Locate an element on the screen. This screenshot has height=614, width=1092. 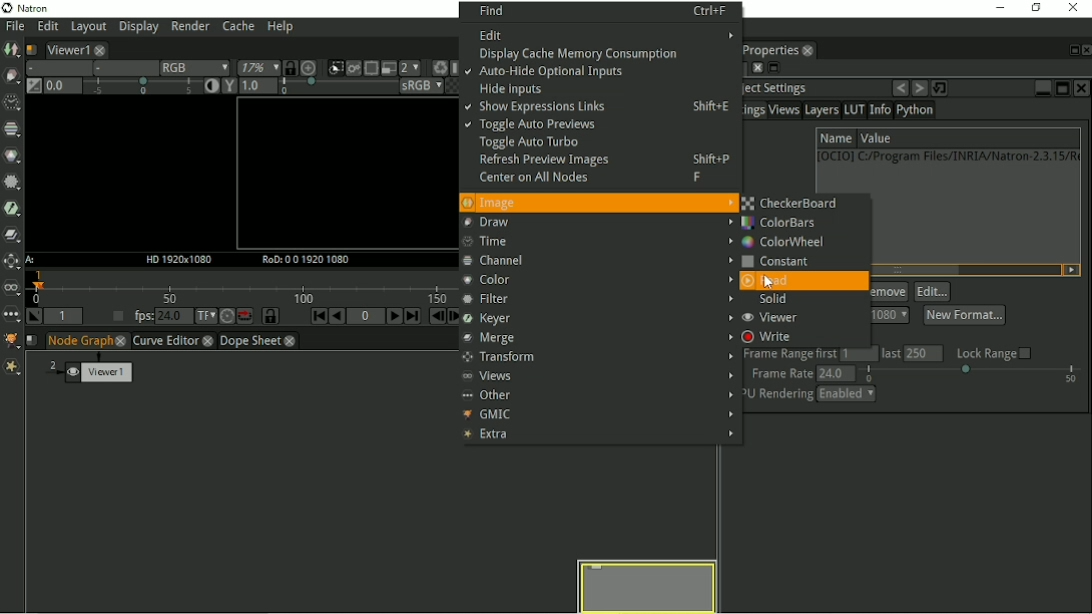
Toggle auto previews is located at coordinates (531, 126).